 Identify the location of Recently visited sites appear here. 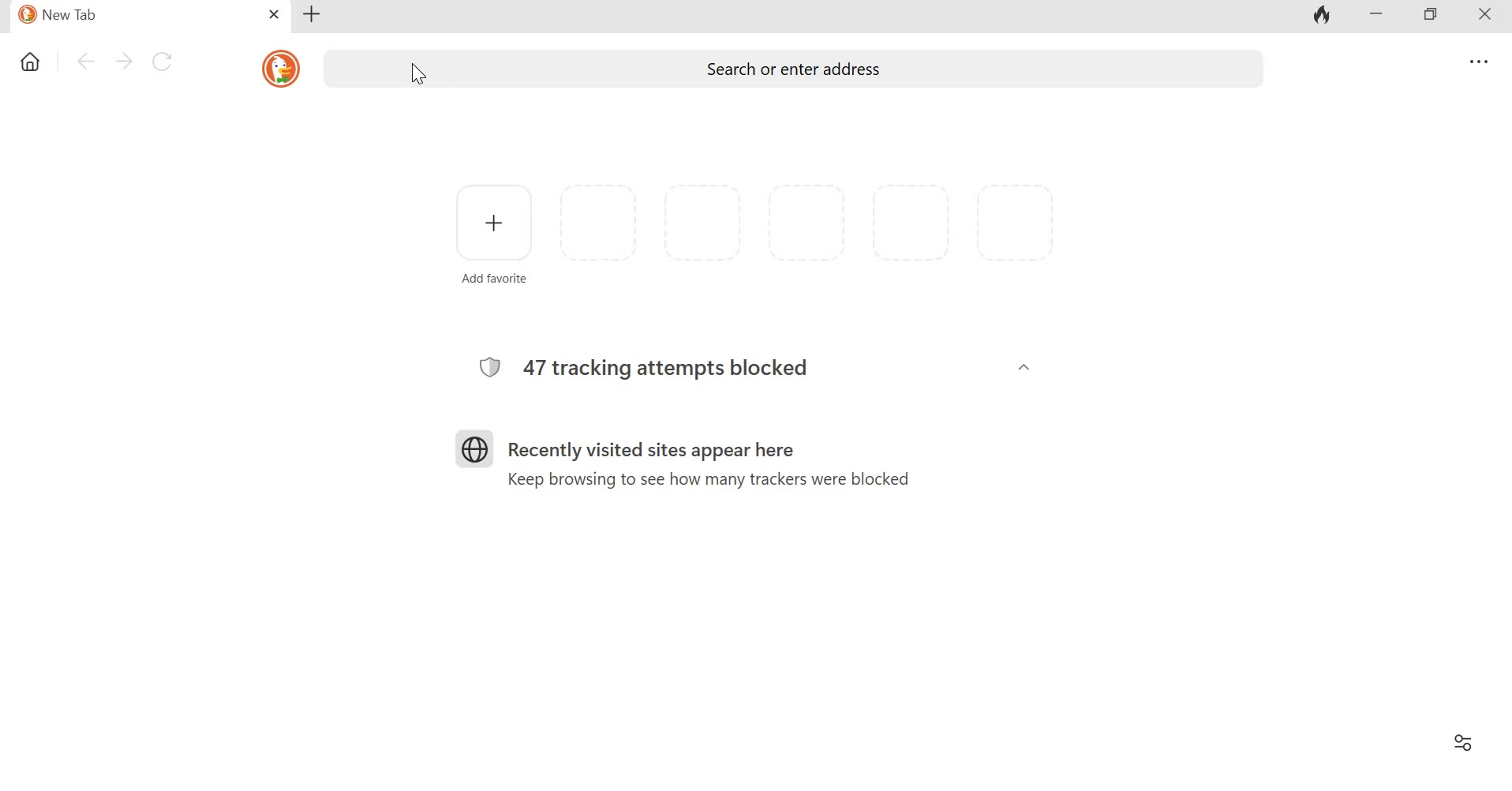
(651, 451).